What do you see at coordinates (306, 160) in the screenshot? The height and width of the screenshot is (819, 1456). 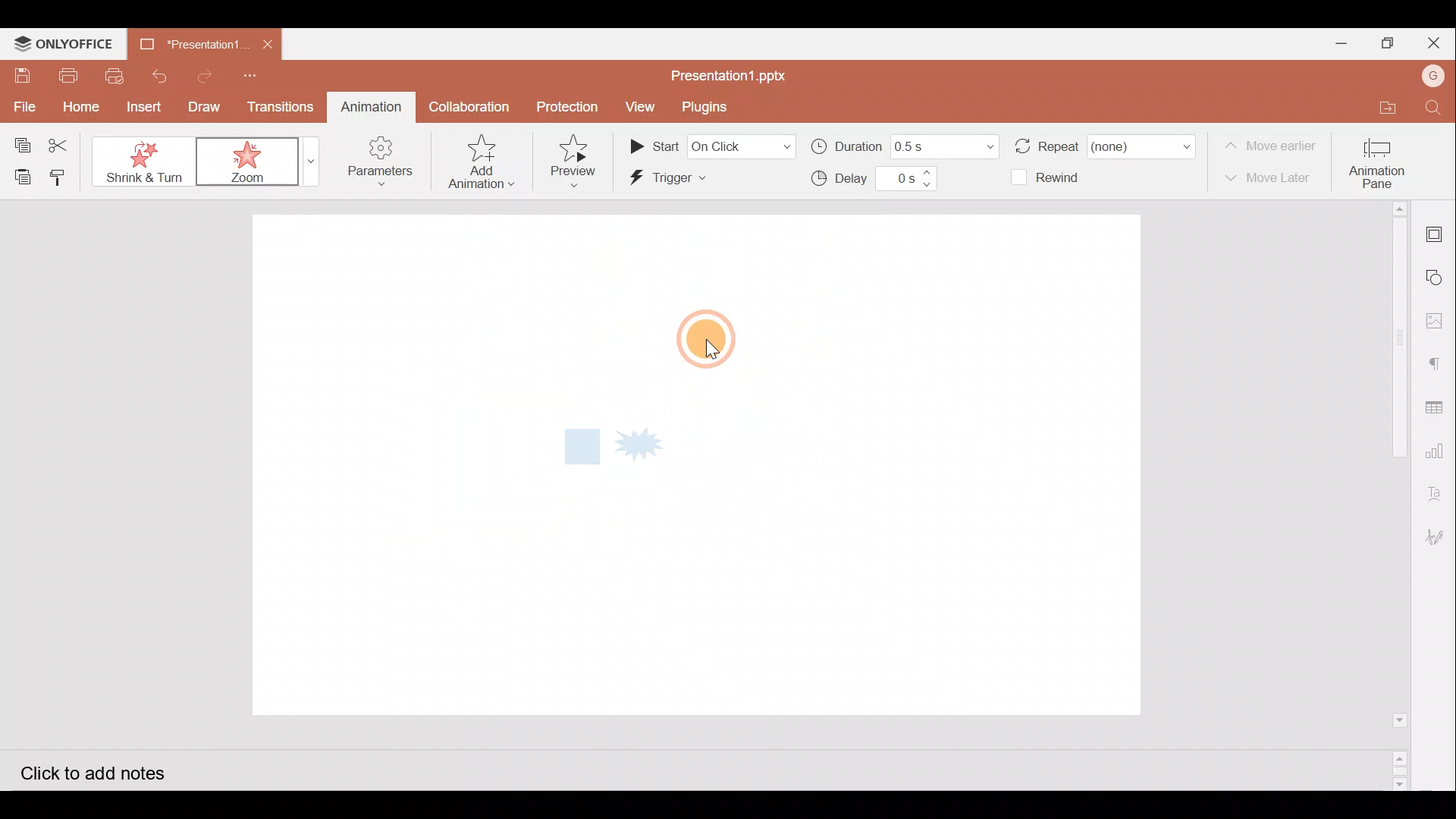 I see `More` at bounding box center [306, 160].